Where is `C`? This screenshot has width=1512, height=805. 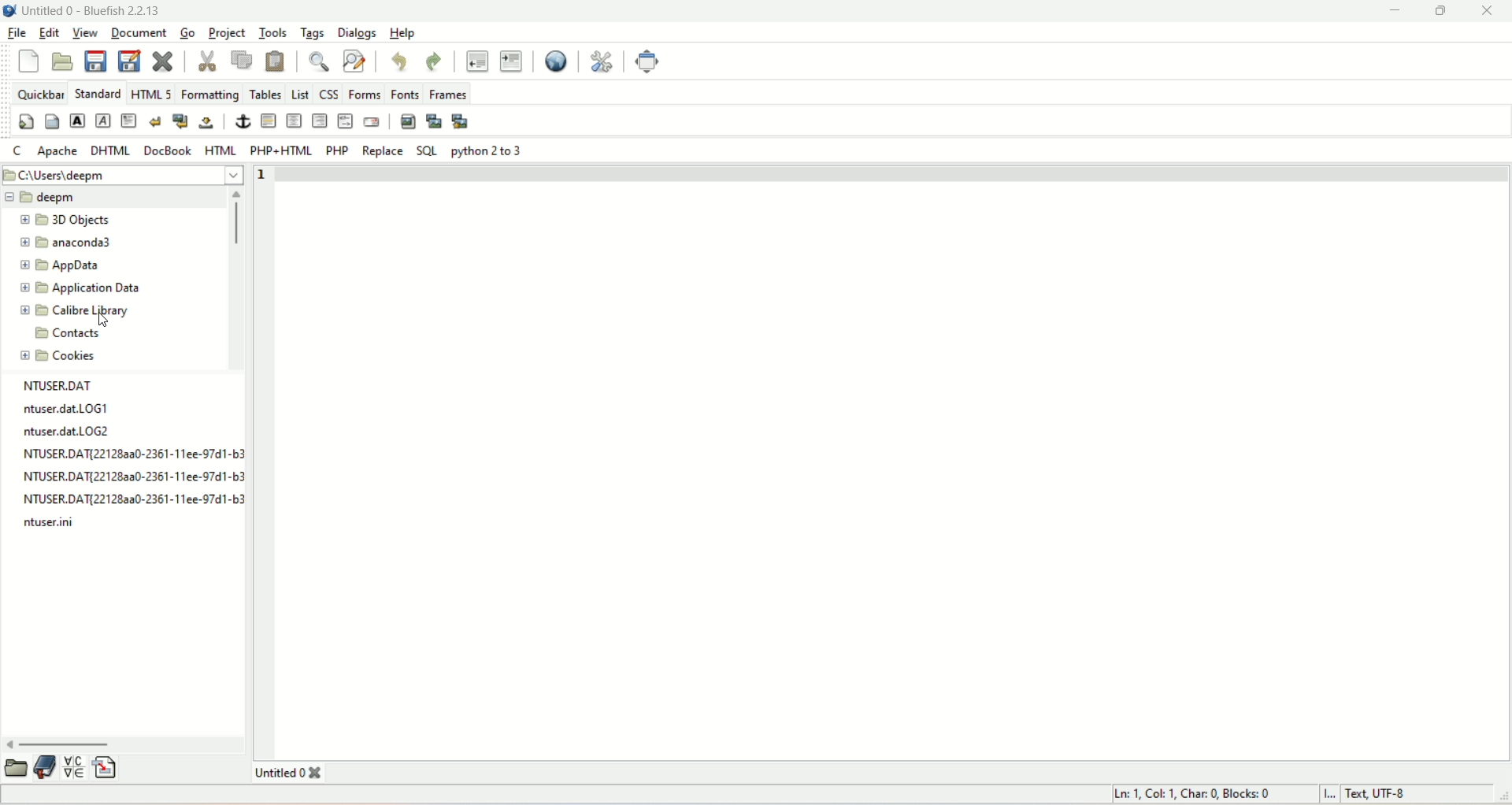 C is located at coordinates (17, 151).